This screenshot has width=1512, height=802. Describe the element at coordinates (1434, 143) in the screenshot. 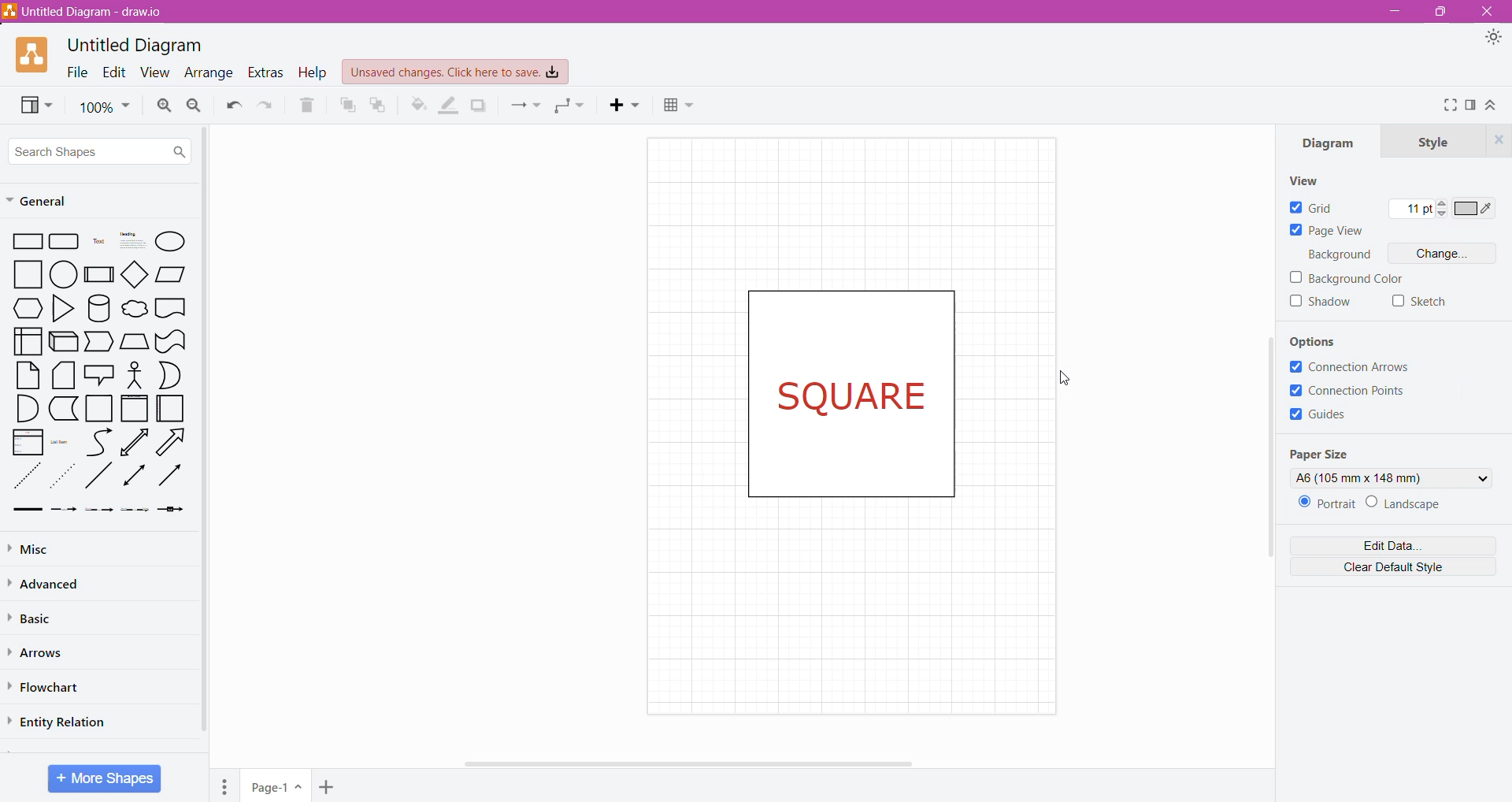

I see `Style` at that location.